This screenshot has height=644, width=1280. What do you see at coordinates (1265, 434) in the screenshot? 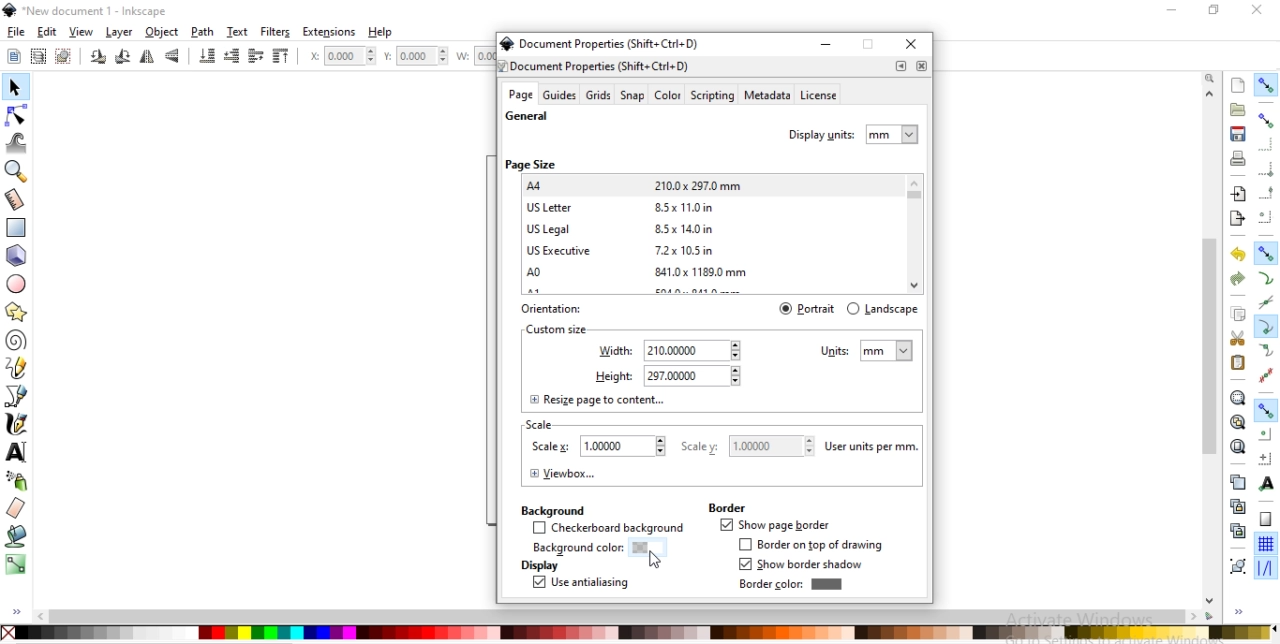
I see `snap centers of objects` at bounding box center [1265, 434].